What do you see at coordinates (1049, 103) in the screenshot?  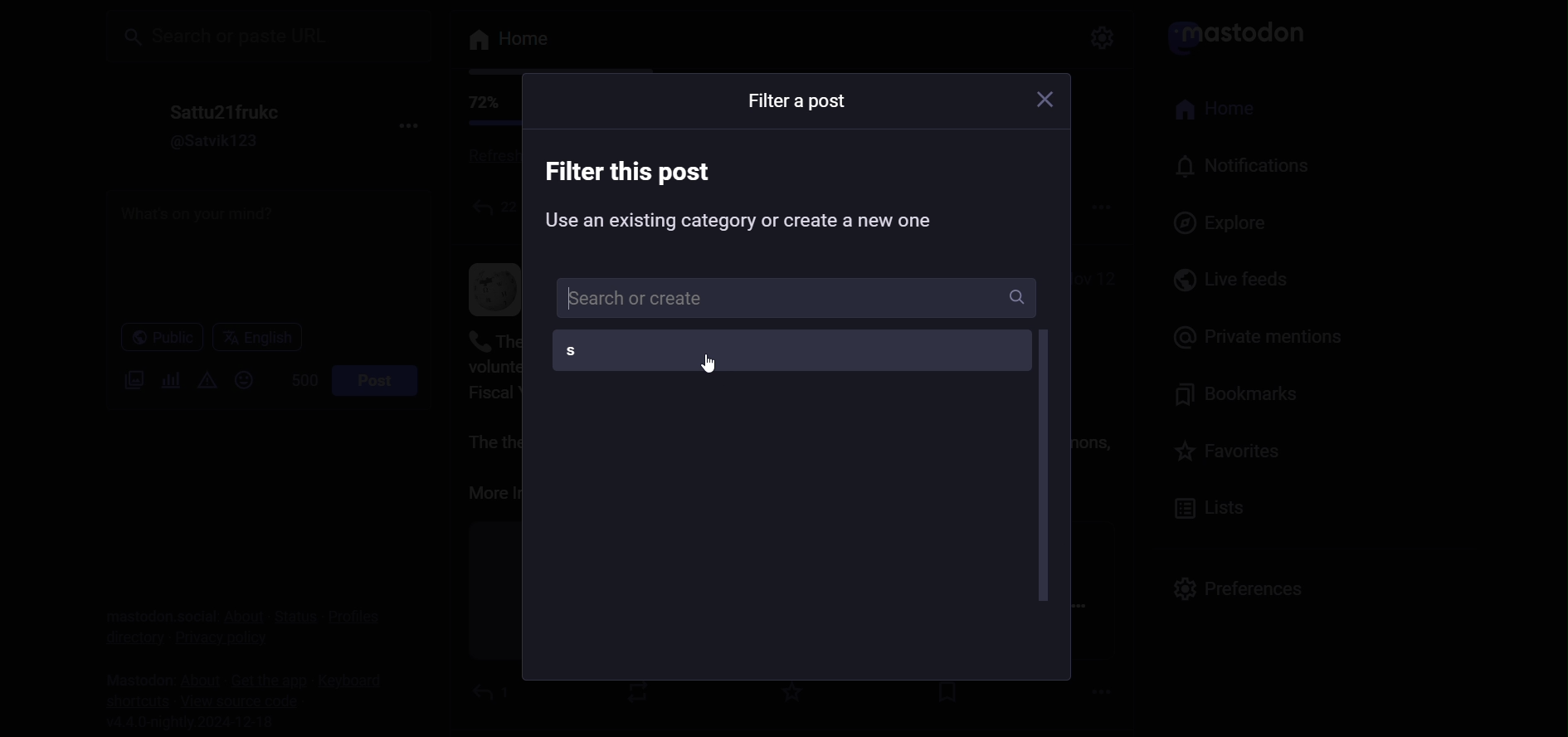 I see `close` at bounding box center [1049, 103].